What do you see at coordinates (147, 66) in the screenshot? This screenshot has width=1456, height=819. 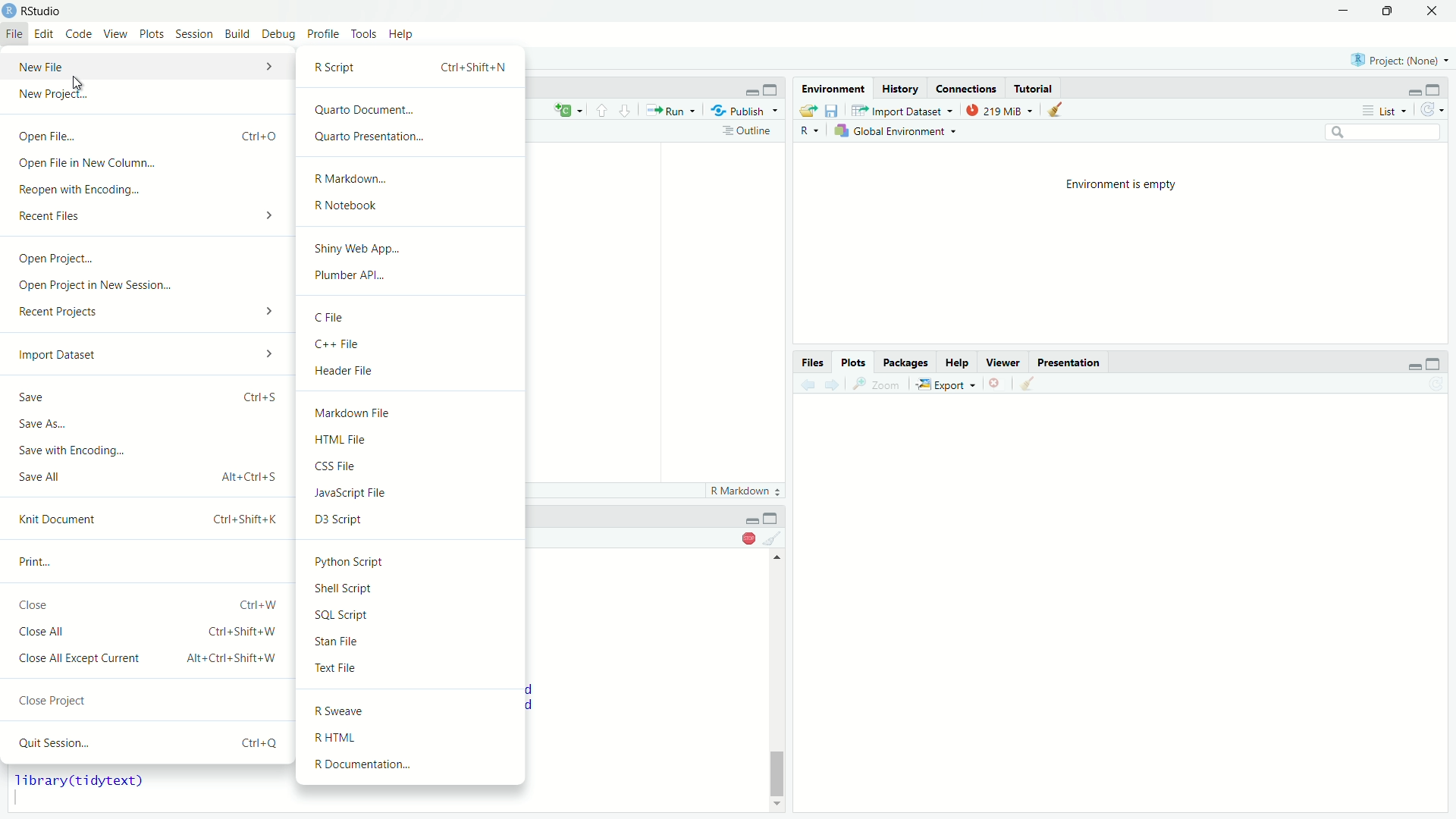 I see `New File` at bounding box center [147, 66].